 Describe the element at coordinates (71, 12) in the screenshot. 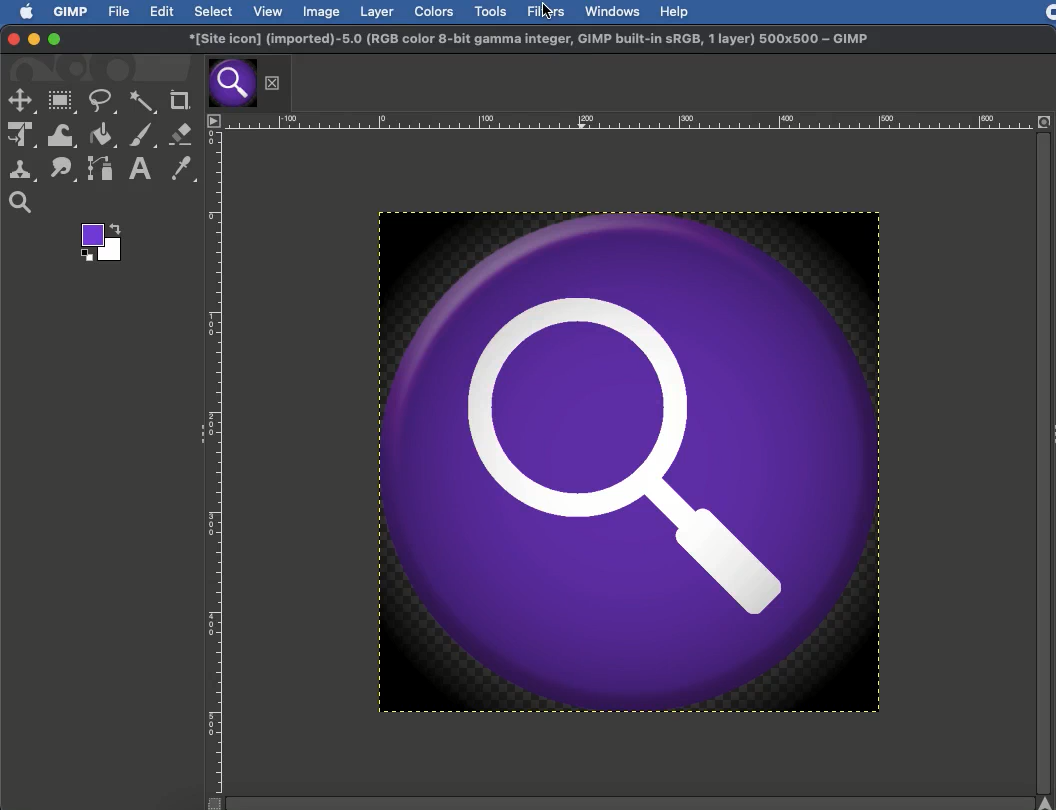

I see `GIMP` at that location.